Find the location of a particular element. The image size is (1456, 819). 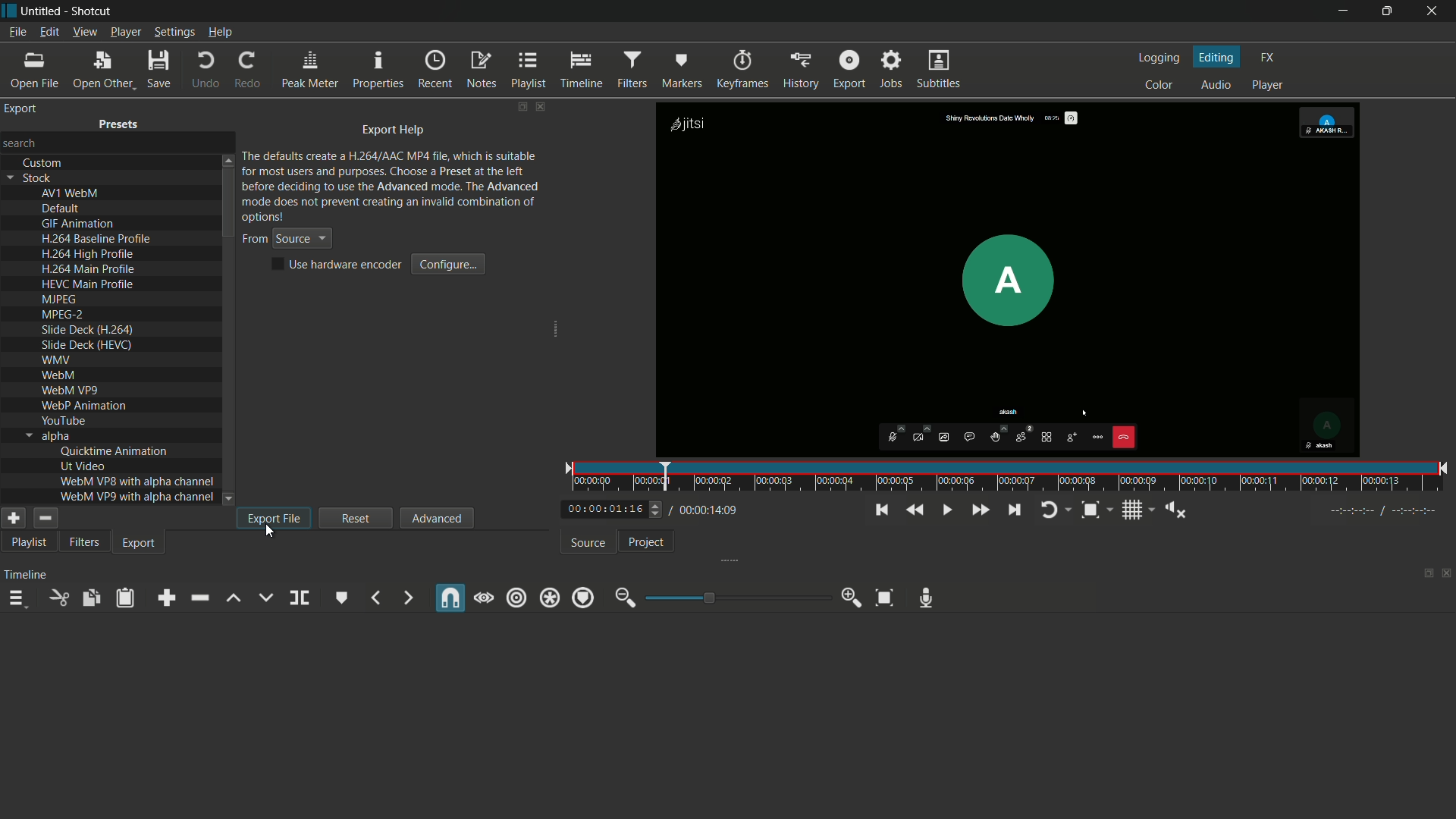

playlist is located at coordinates (30, 542).